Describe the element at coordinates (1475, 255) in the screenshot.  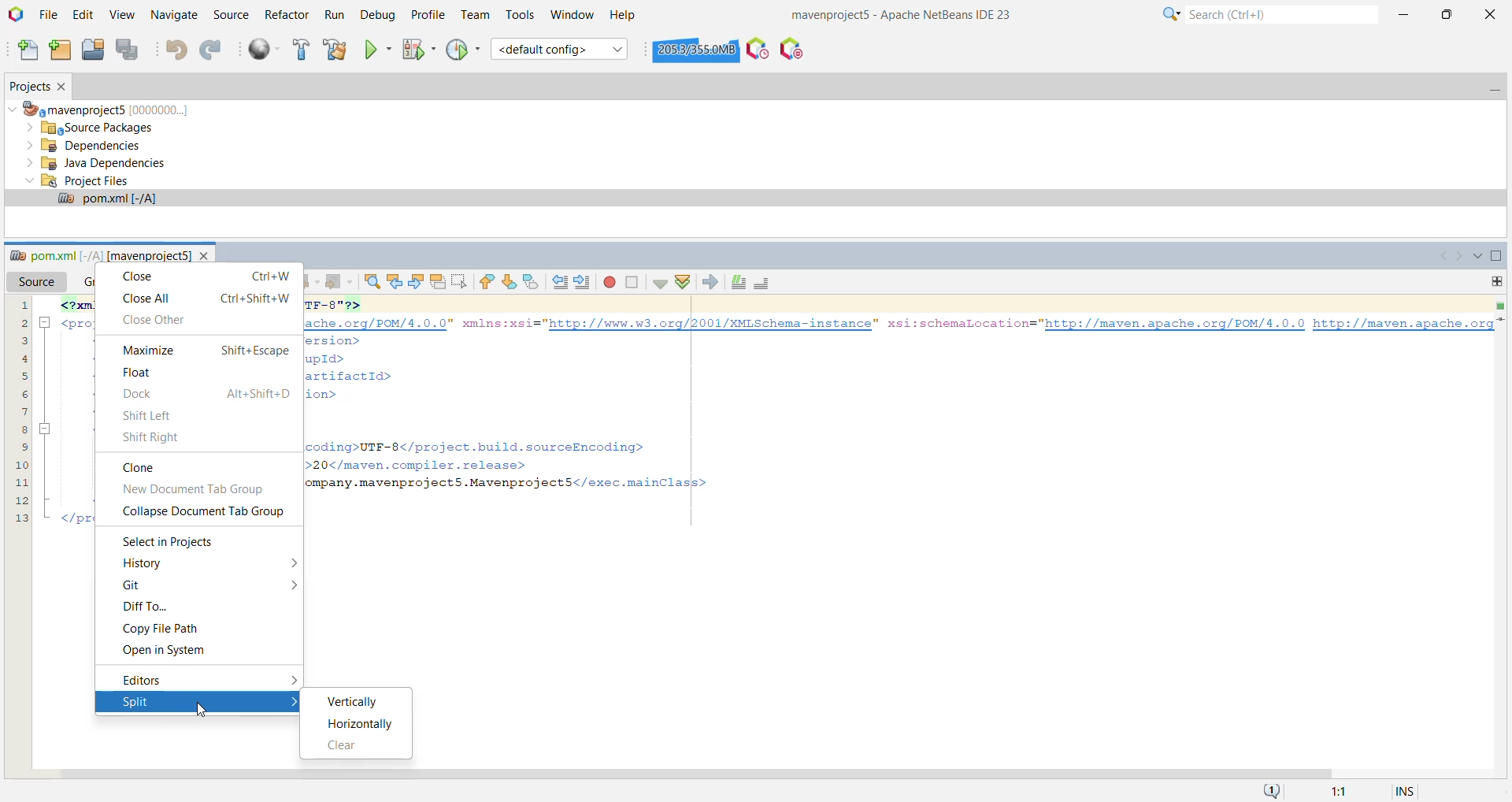
I see `Show All Opened Documents` at that location.